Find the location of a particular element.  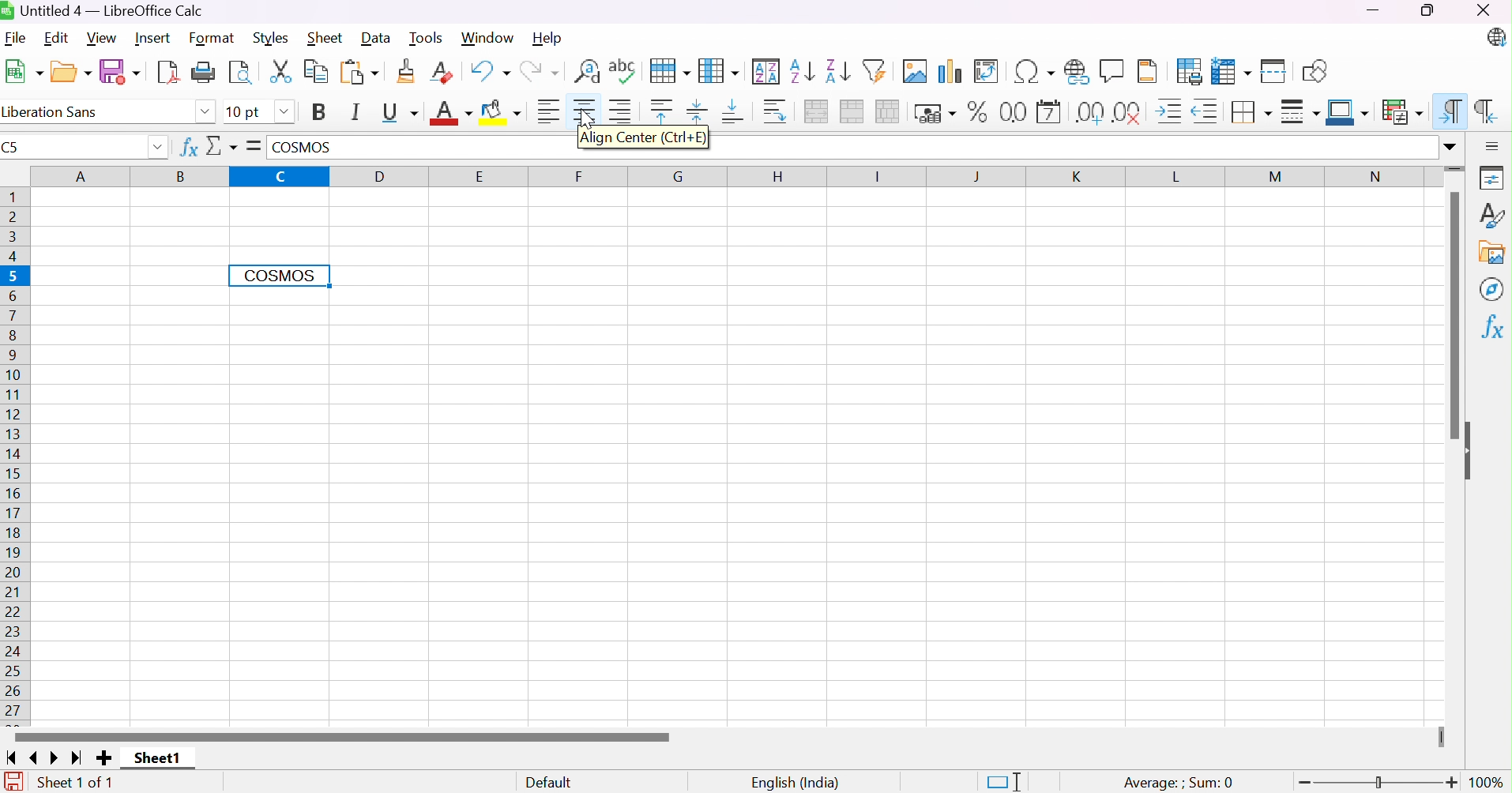

Increase Indent is located at coordinates (1171, 113).